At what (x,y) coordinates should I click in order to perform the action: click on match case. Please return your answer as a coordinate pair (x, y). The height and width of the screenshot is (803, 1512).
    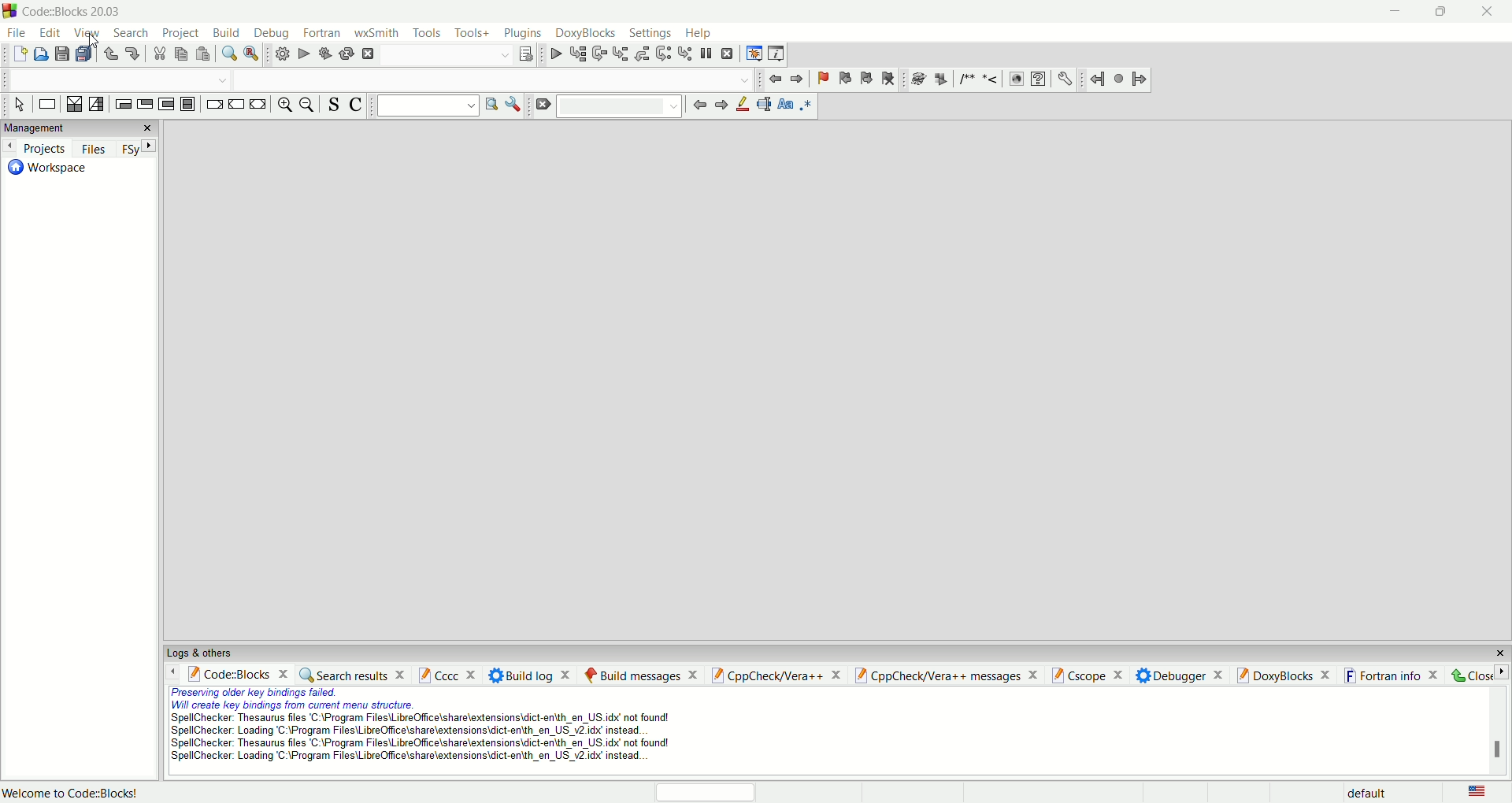
    Looking at the image, I should click on (786, 107).